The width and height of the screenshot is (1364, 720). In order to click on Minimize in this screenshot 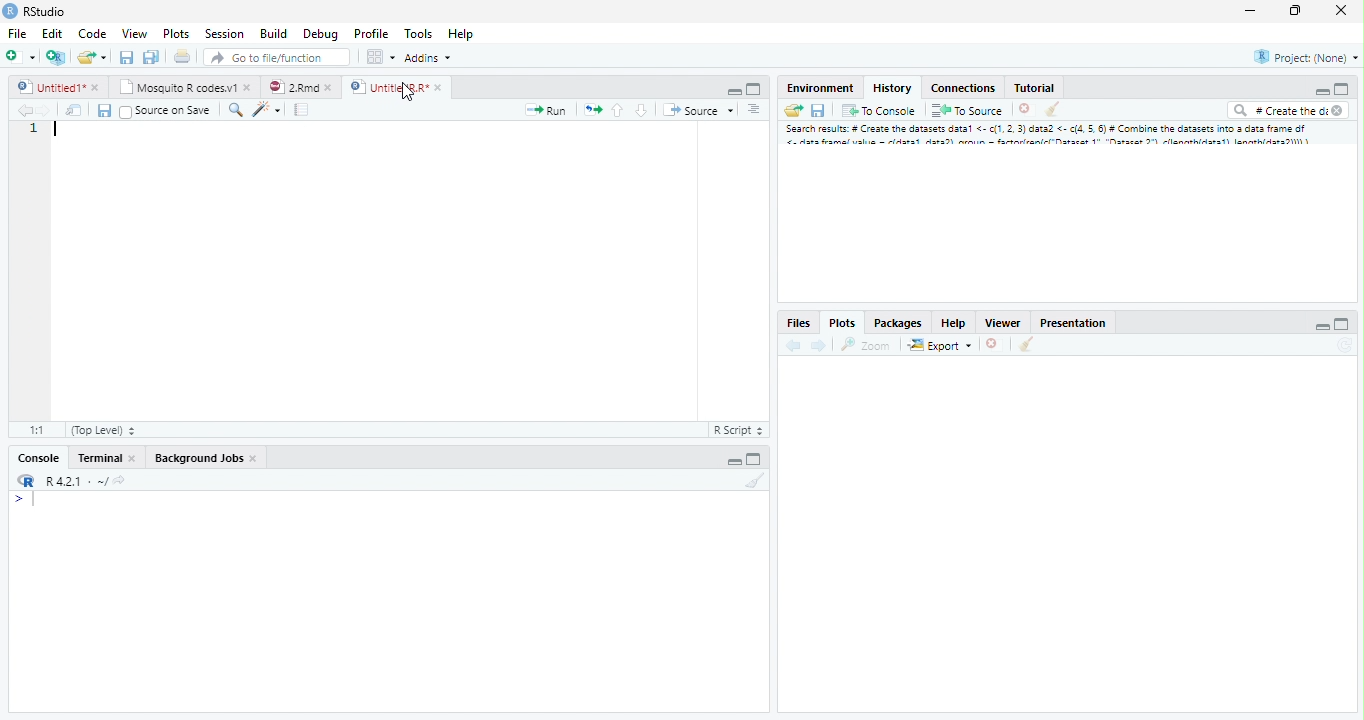, I will do `click(733, 91)`.